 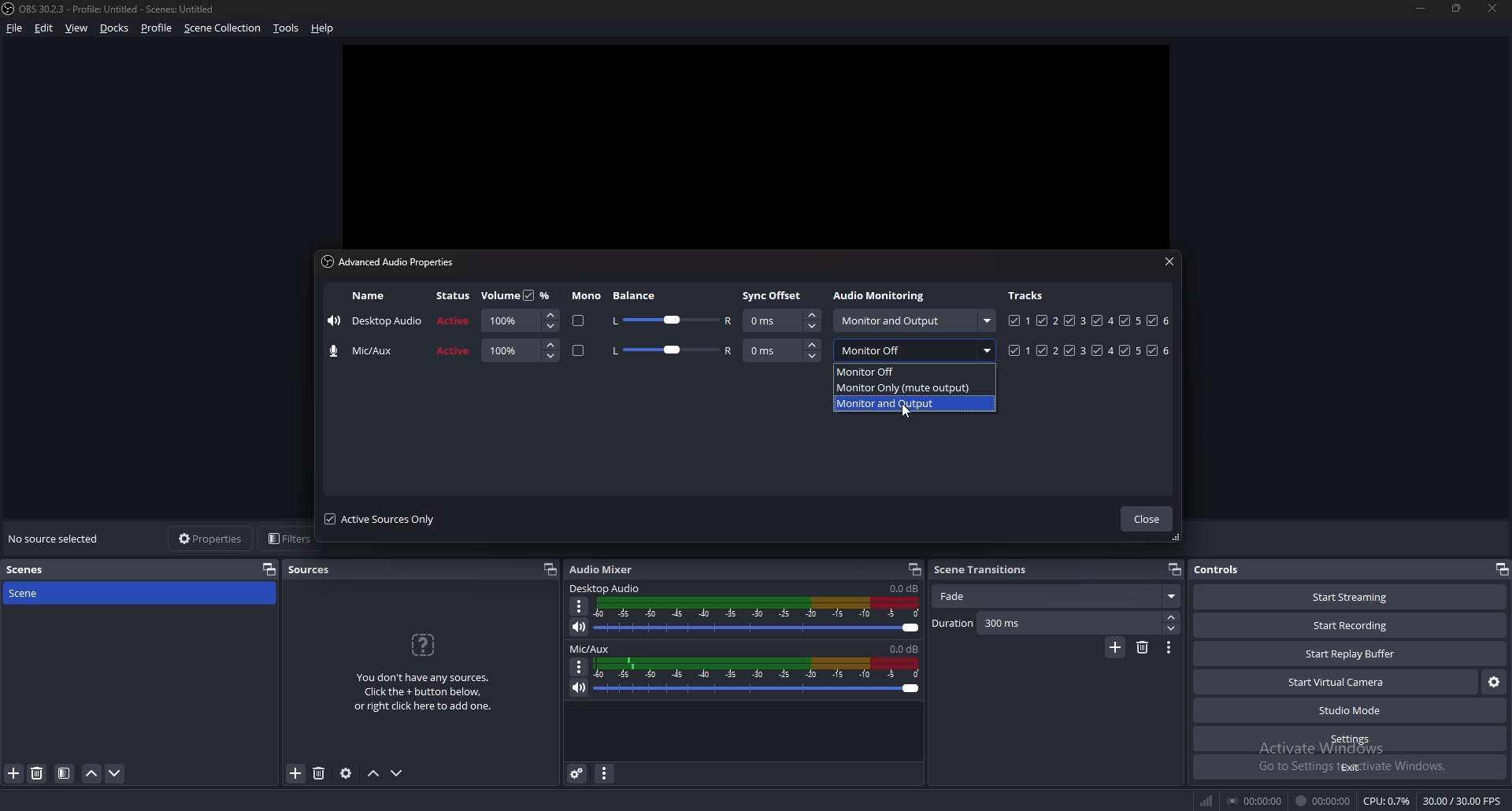 I want to click on duration, so click(x=1045, y=624).